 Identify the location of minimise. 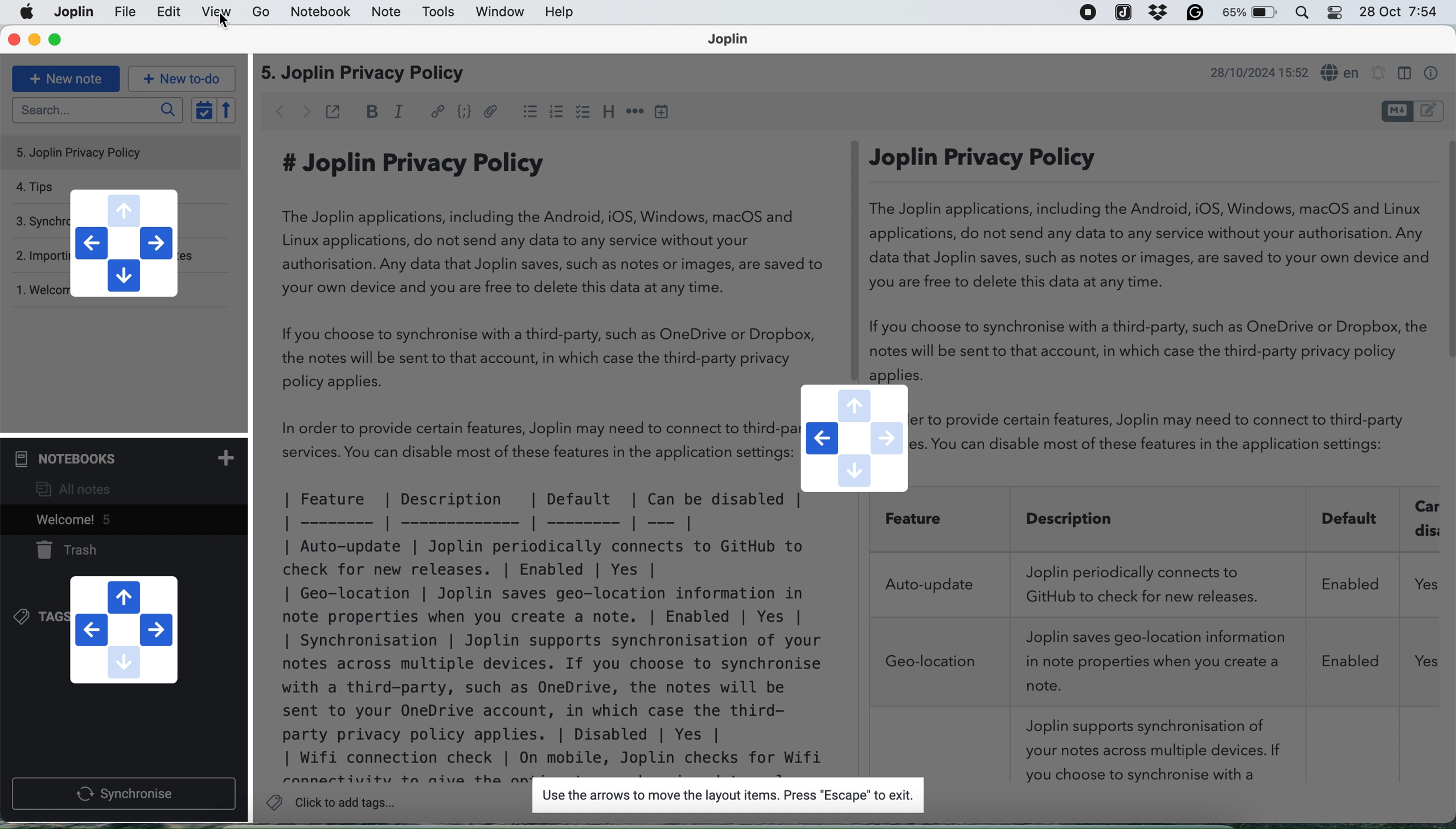
(35, 40).